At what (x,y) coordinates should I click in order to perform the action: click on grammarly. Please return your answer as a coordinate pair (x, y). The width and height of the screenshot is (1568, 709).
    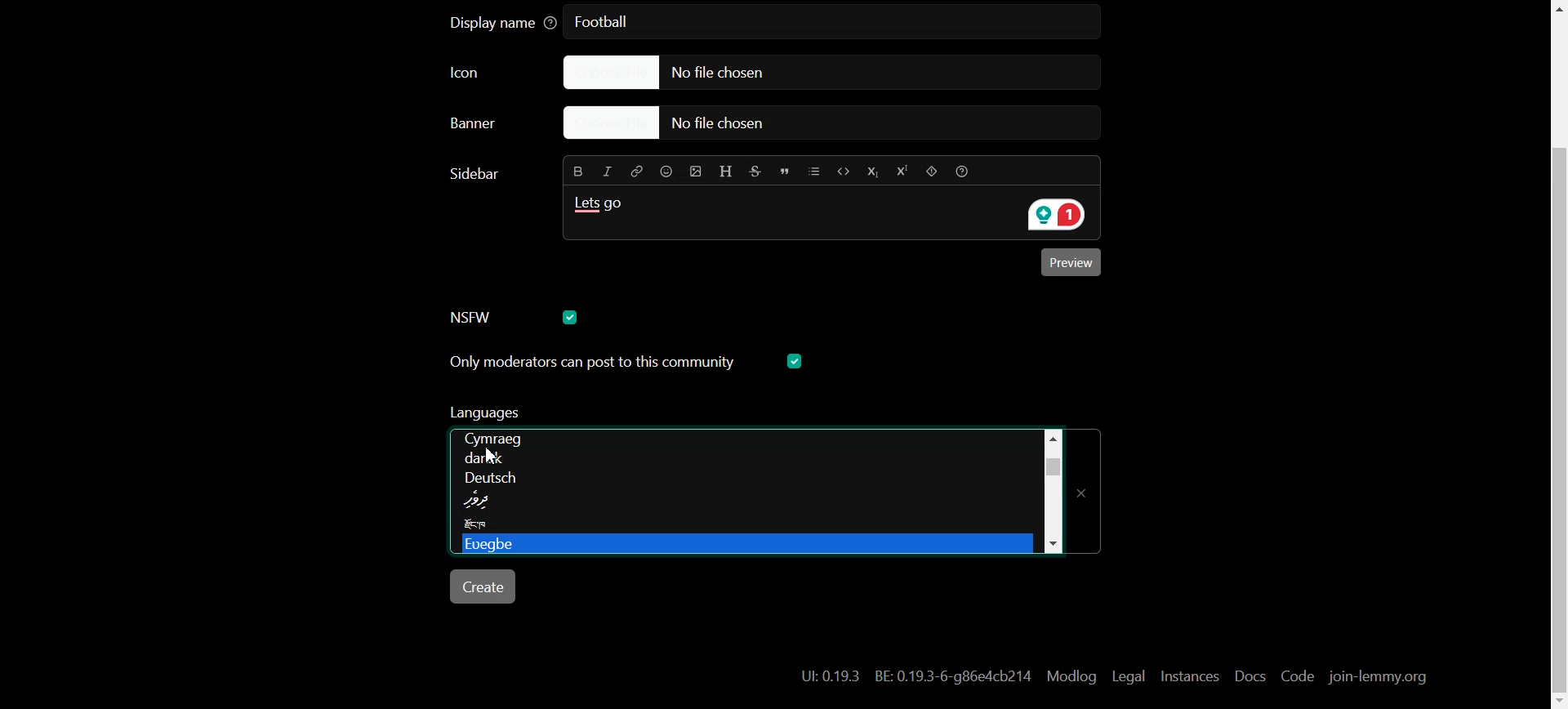
    Looking at the image, I should click on (1052, 216).